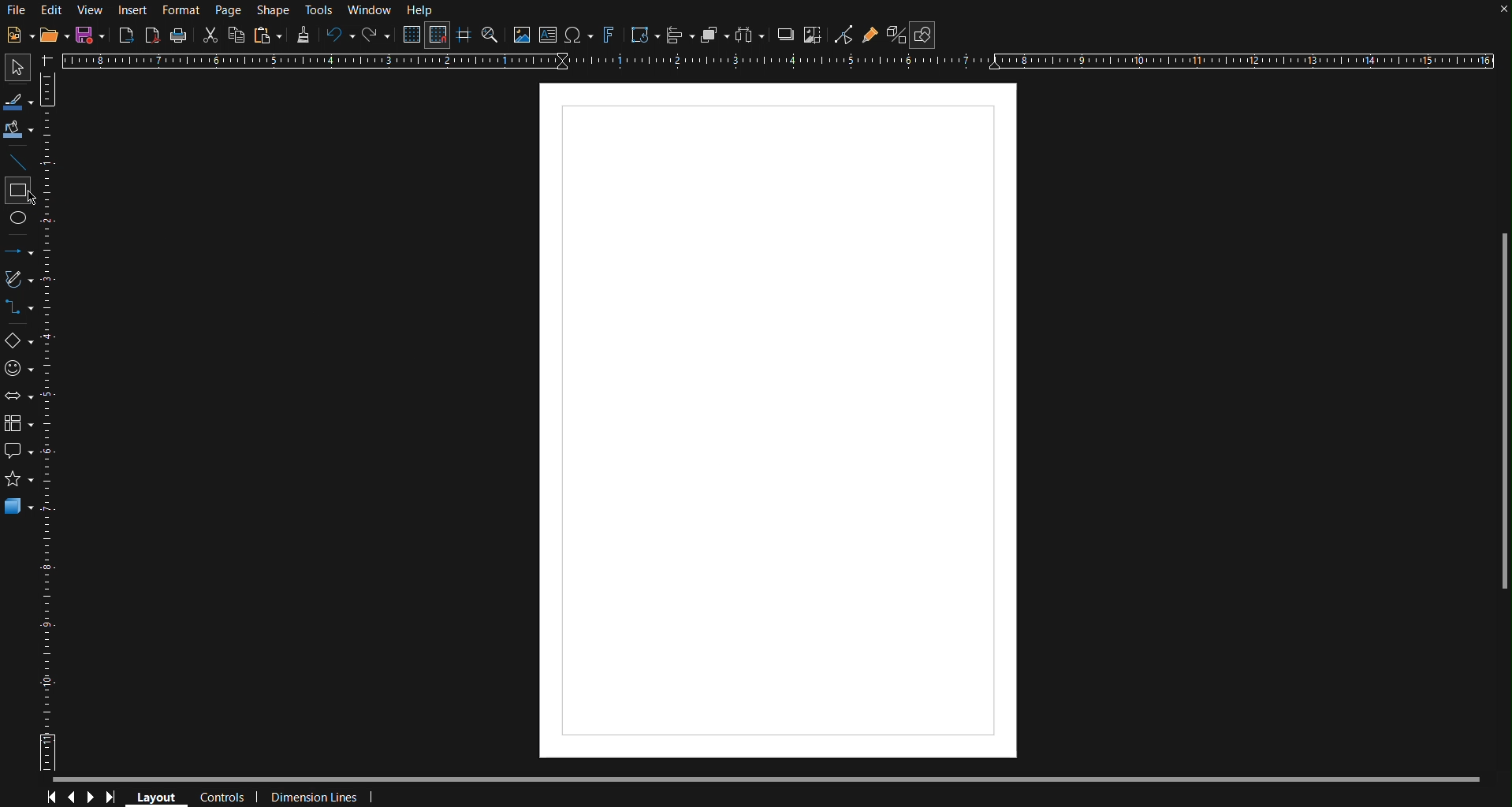  What do you see at coordinates (18, 68) in the screenshot?
I see `Select` at bounding box center [18, 68].